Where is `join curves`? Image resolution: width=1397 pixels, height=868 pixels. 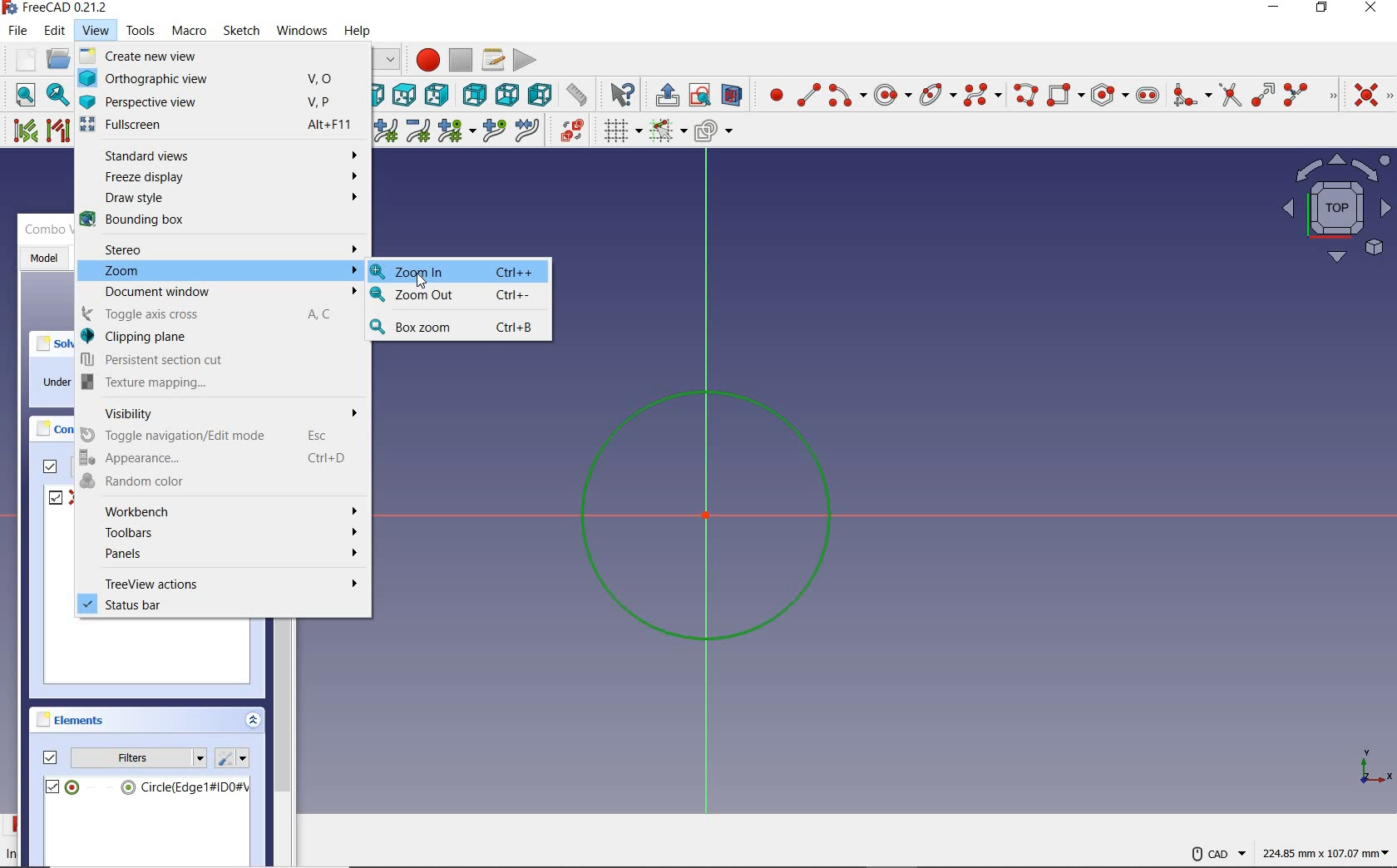 join curves is located at coordinates (526, 131).